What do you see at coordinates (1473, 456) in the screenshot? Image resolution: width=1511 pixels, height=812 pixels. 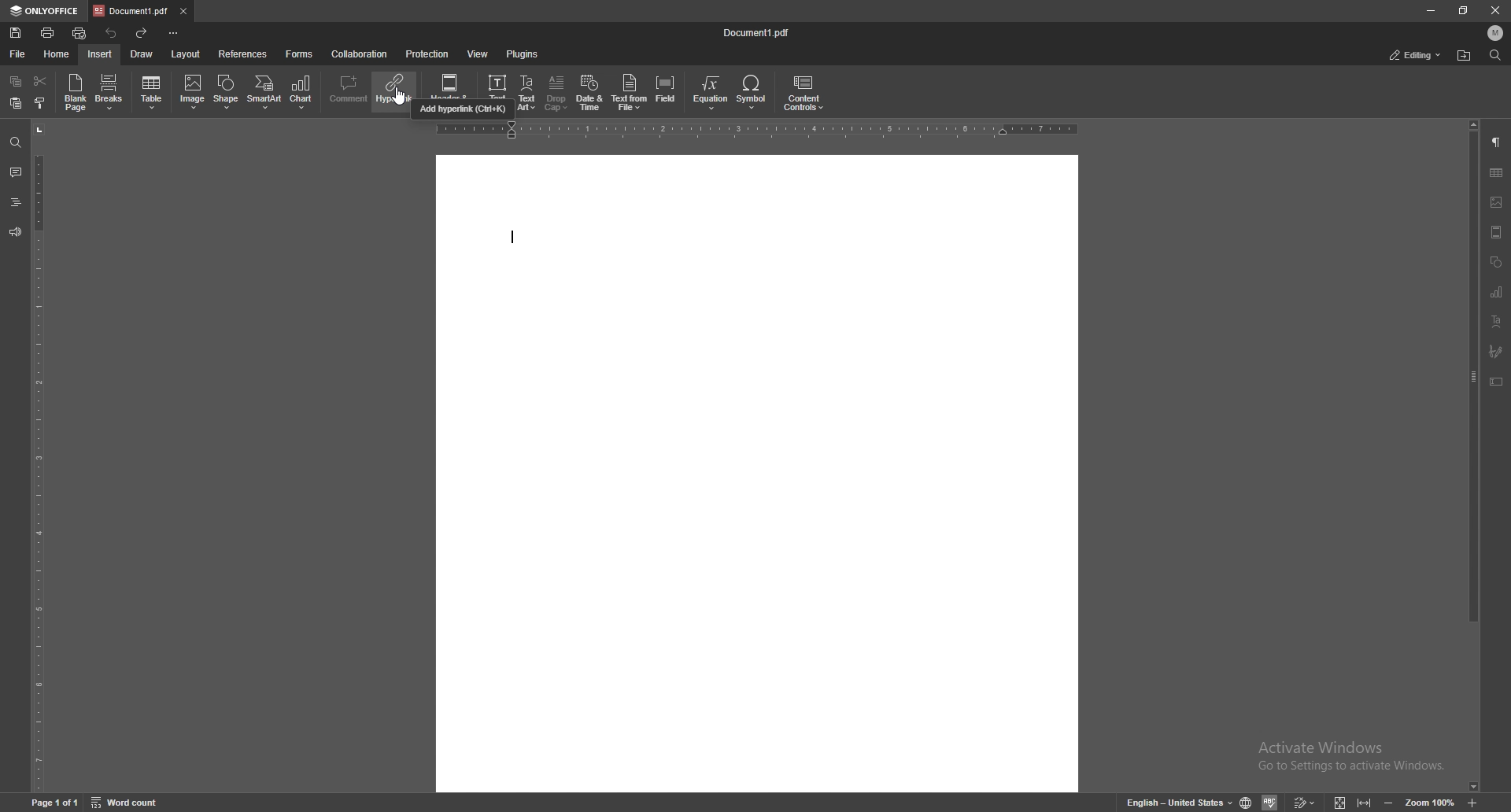 I see `scroll bar` at bounding box center [1473, 456].